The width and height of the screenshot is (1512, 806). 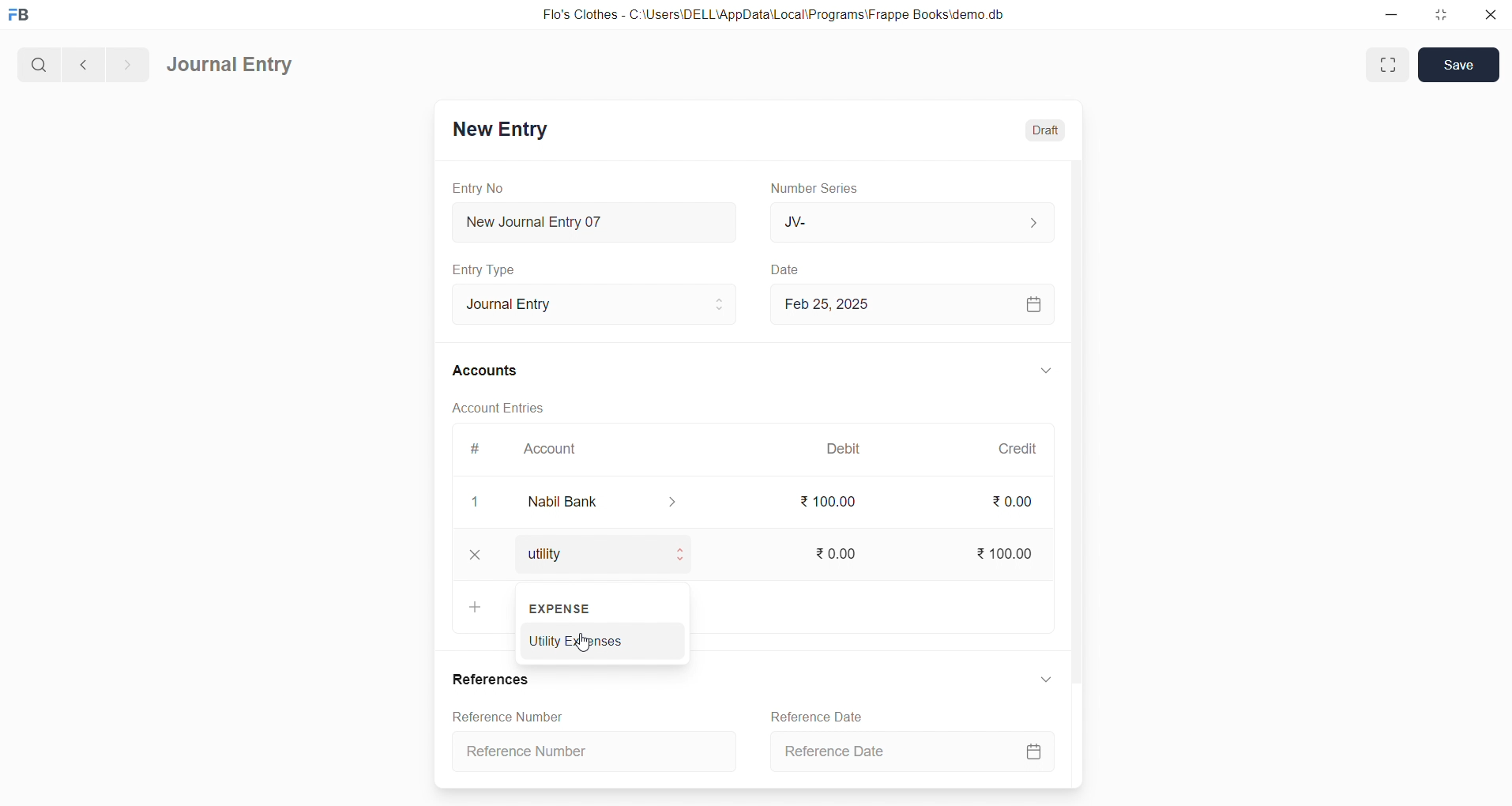 What do you see at coordinates (1039, 371) in the screenshot?
I see `expand/collapse` at bounding box center [1039, 371].